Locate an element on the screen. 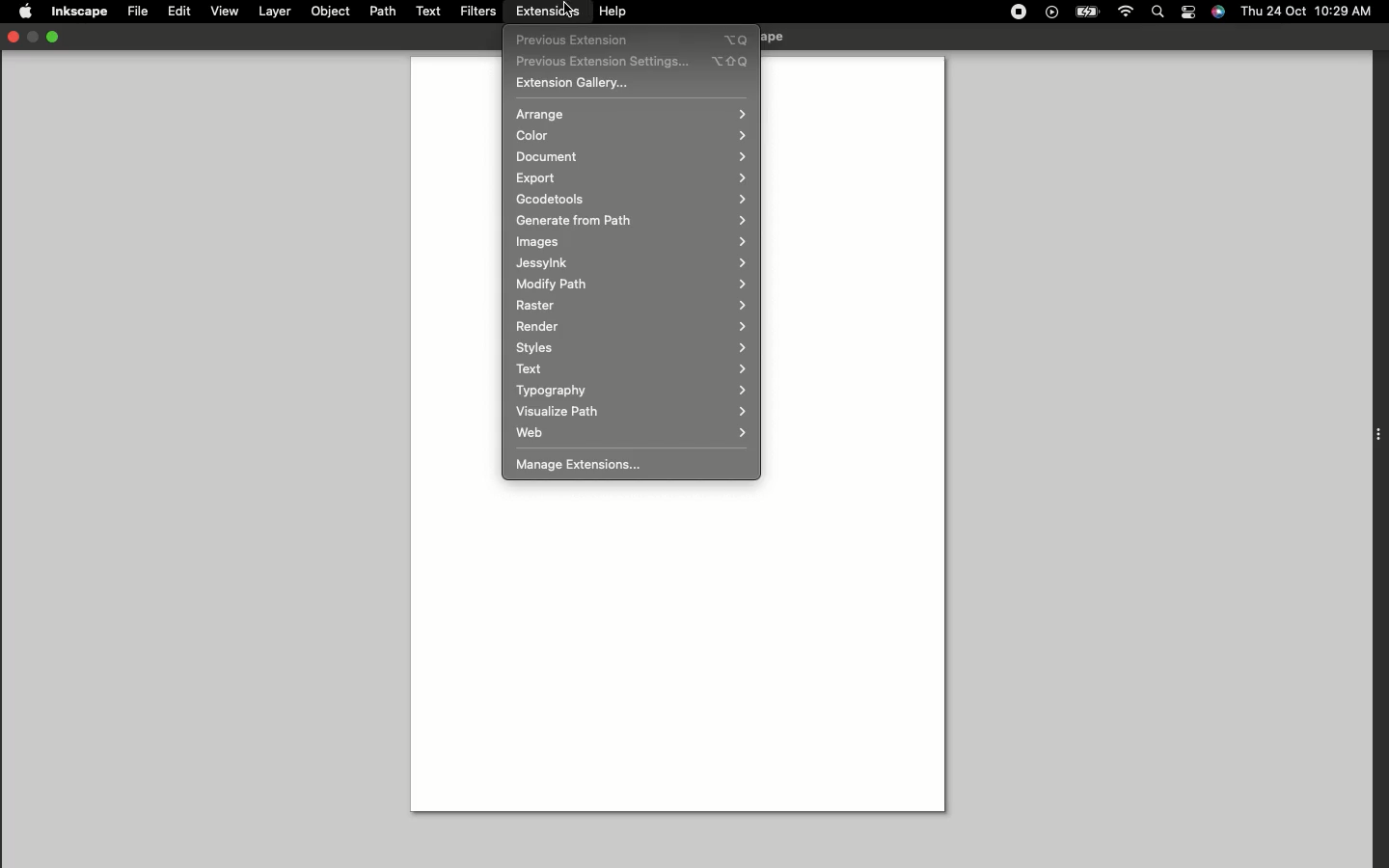 This screenshot has height=868, width=1389. Restore is located at coordinates (34, 38).